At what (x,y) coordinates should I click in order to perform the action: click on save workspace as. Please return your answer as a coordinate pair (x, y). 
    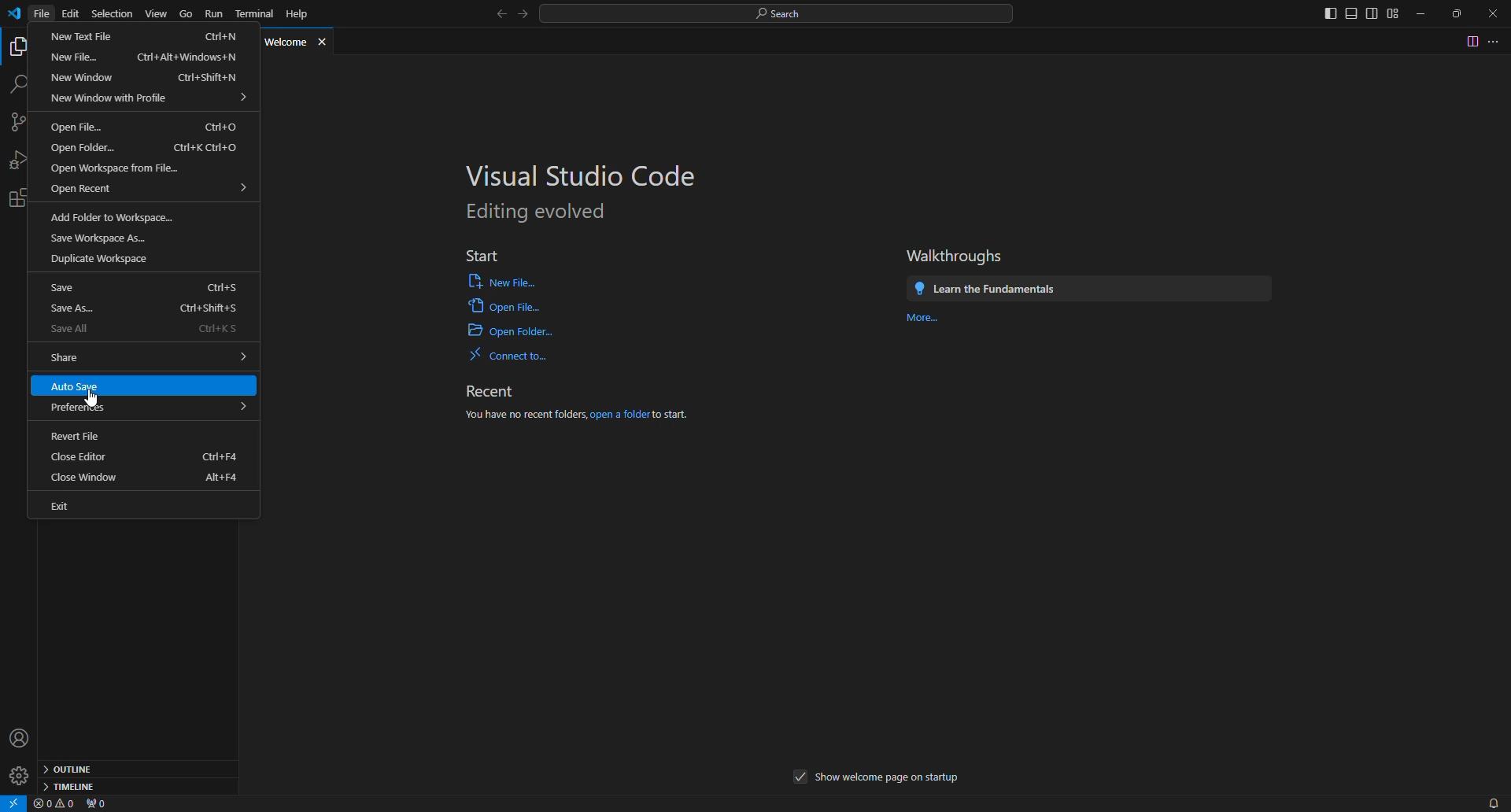
    Looking at the image, I should click on (101, 239).